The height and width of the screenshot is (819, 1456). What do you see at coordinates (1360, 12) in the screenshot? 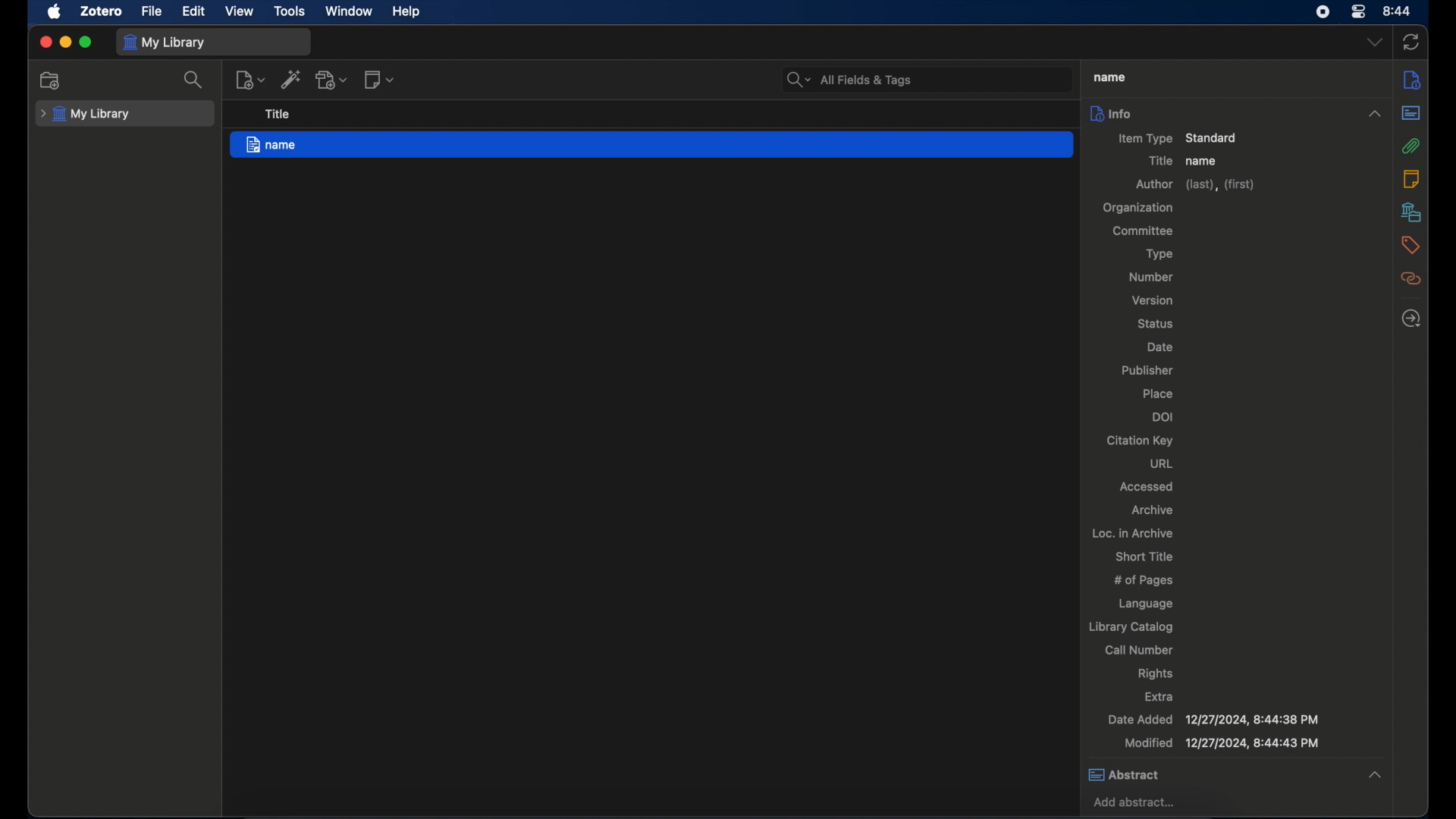
I see `control center` at bounding box center [1360, 12].